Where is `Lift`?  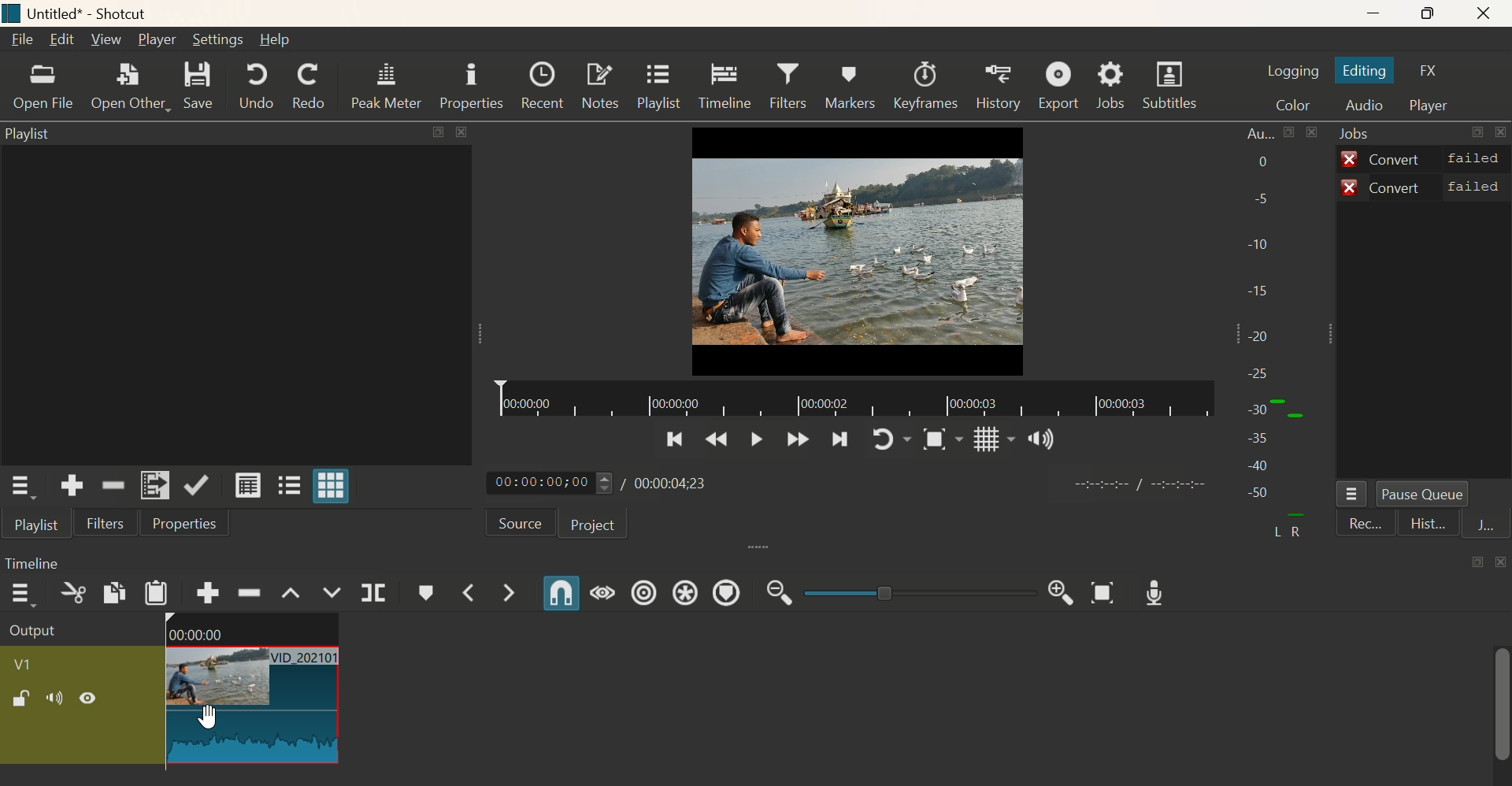
Lift is located at coordinates (292, 590).